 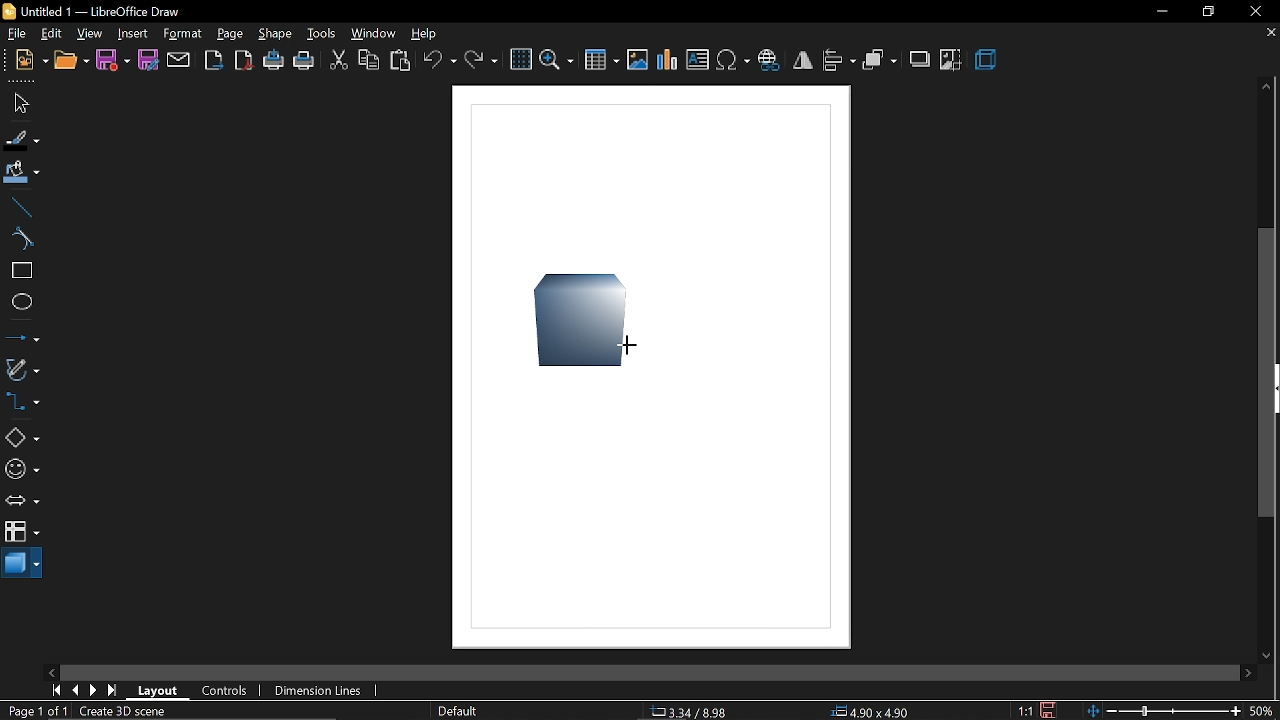 I want to click on minimize, so click(x=1162, y=13).